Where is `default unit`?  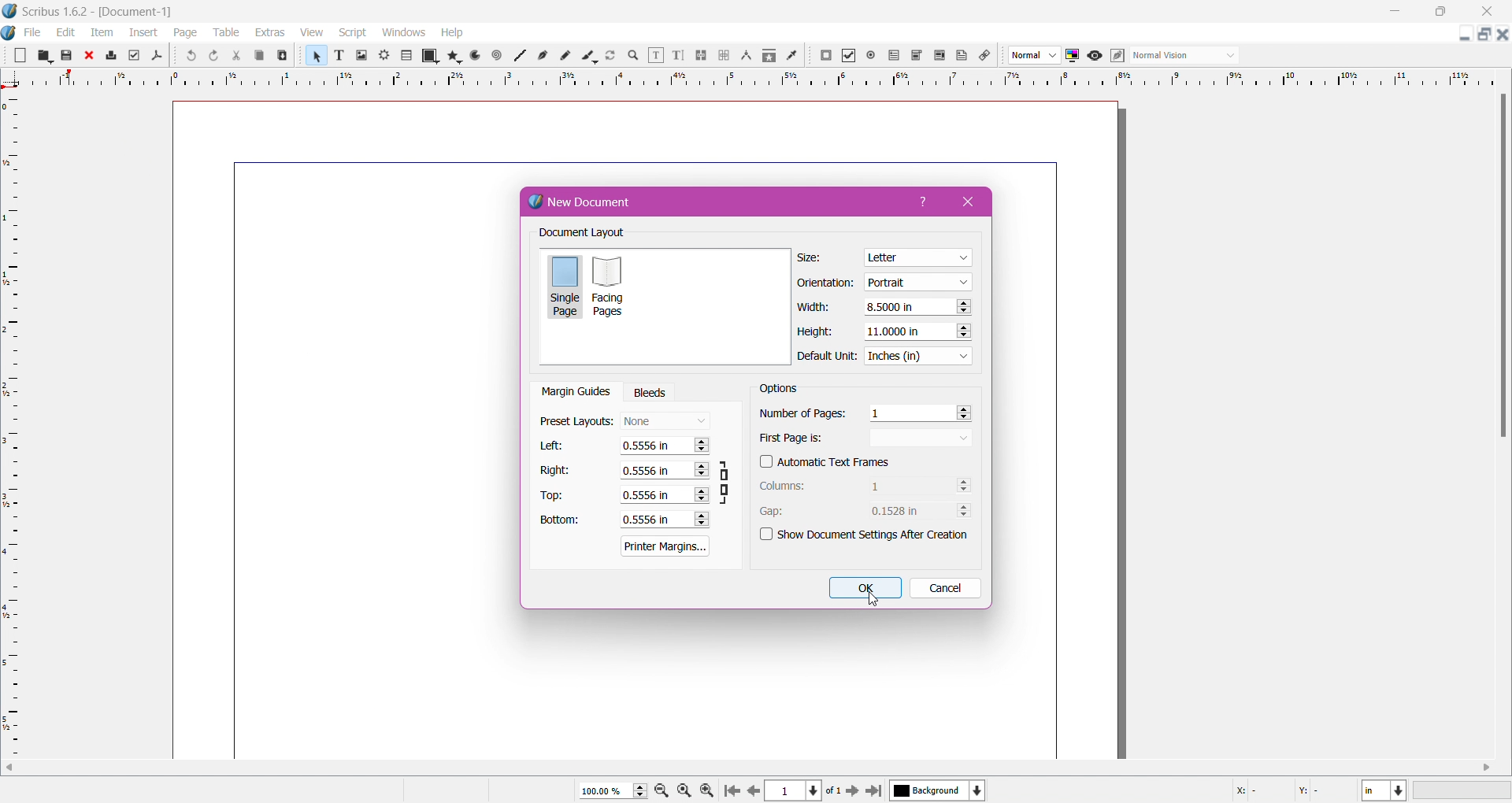 default unit is located at coordinates (824, 357).